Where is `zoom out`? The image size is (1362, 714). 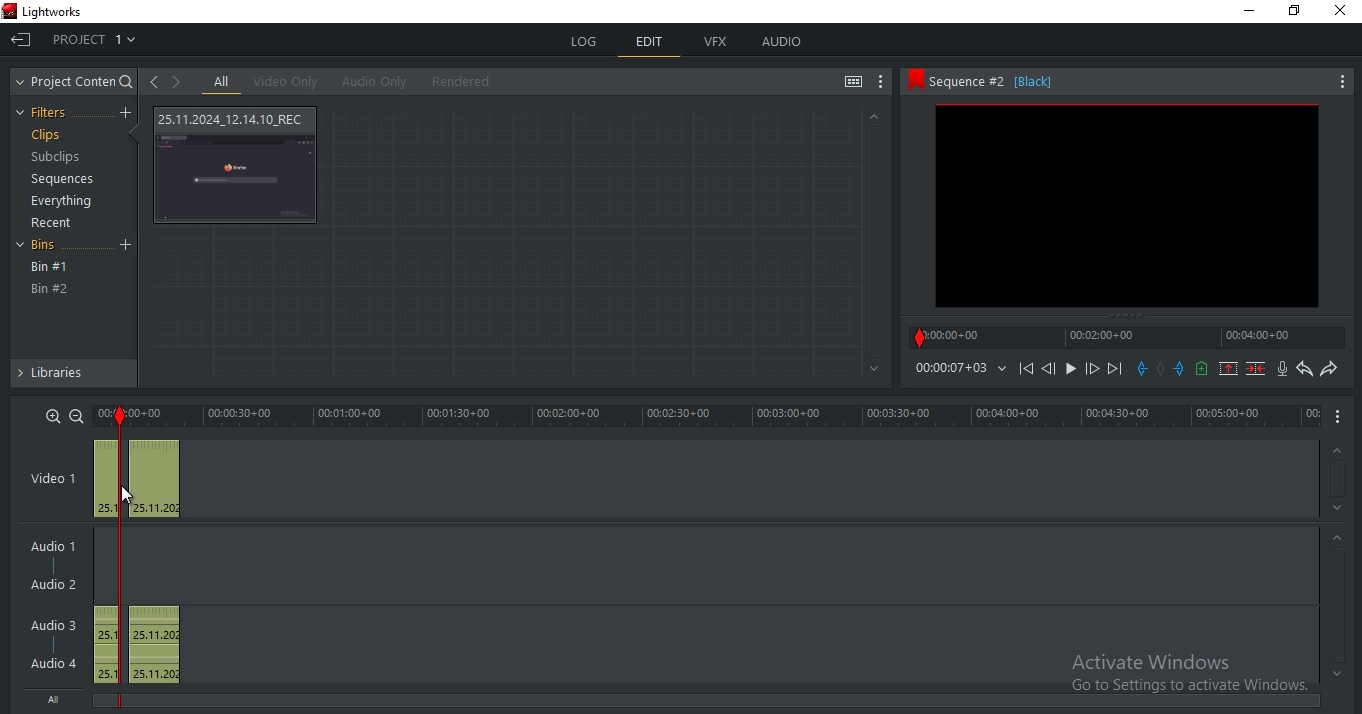 zoom out is located at coordinates (76, 415).